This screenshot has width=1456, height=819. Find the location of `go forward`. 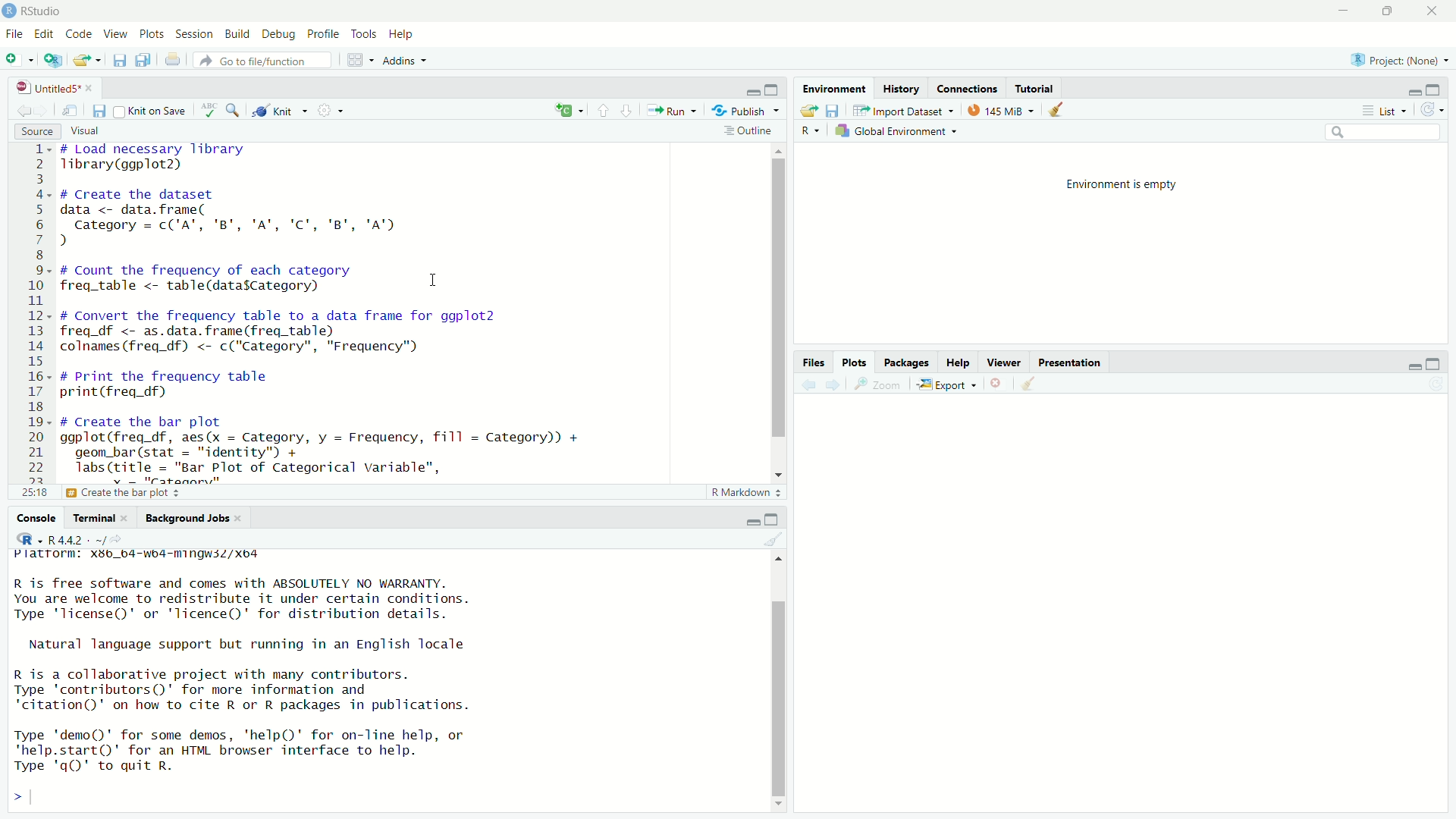

go forward is located at coordinates (44, 111).